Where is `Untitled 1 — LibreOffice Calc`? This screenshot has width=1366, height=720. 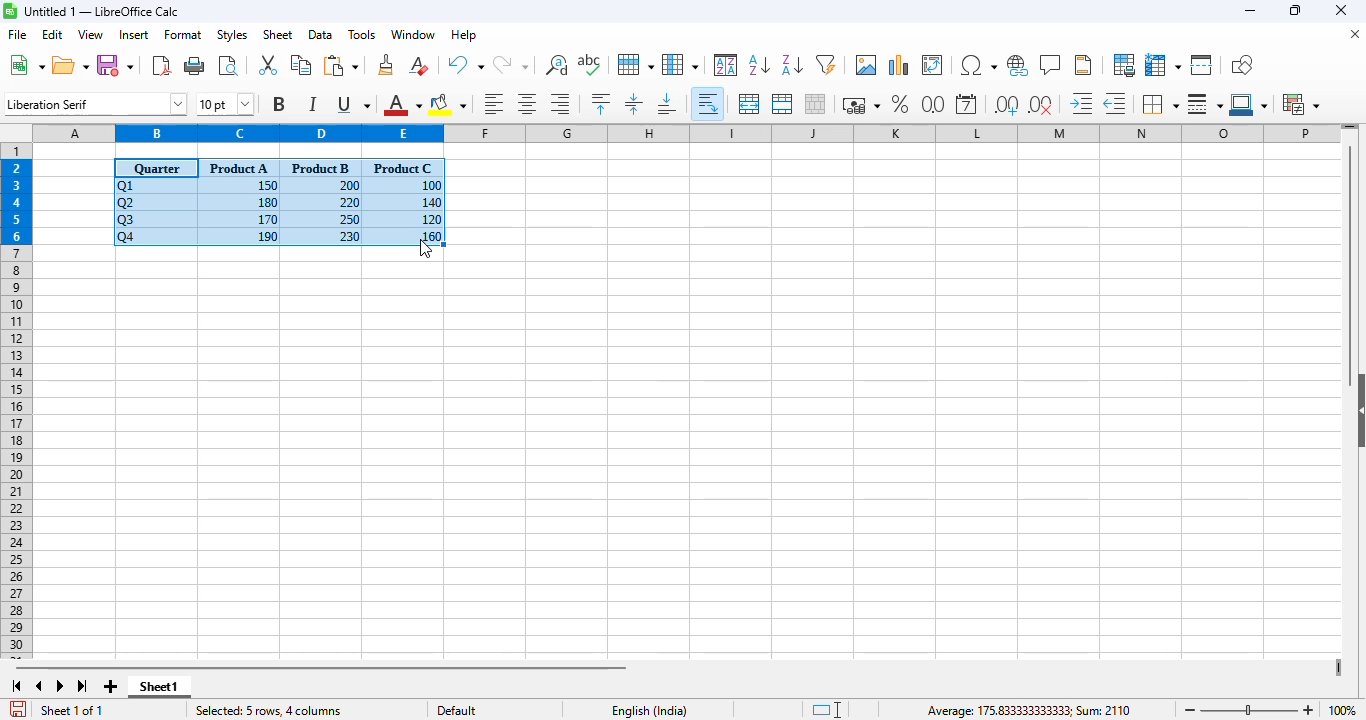 Untitled 1 — LibreOffice Calc is located at coordinates (102, 11).